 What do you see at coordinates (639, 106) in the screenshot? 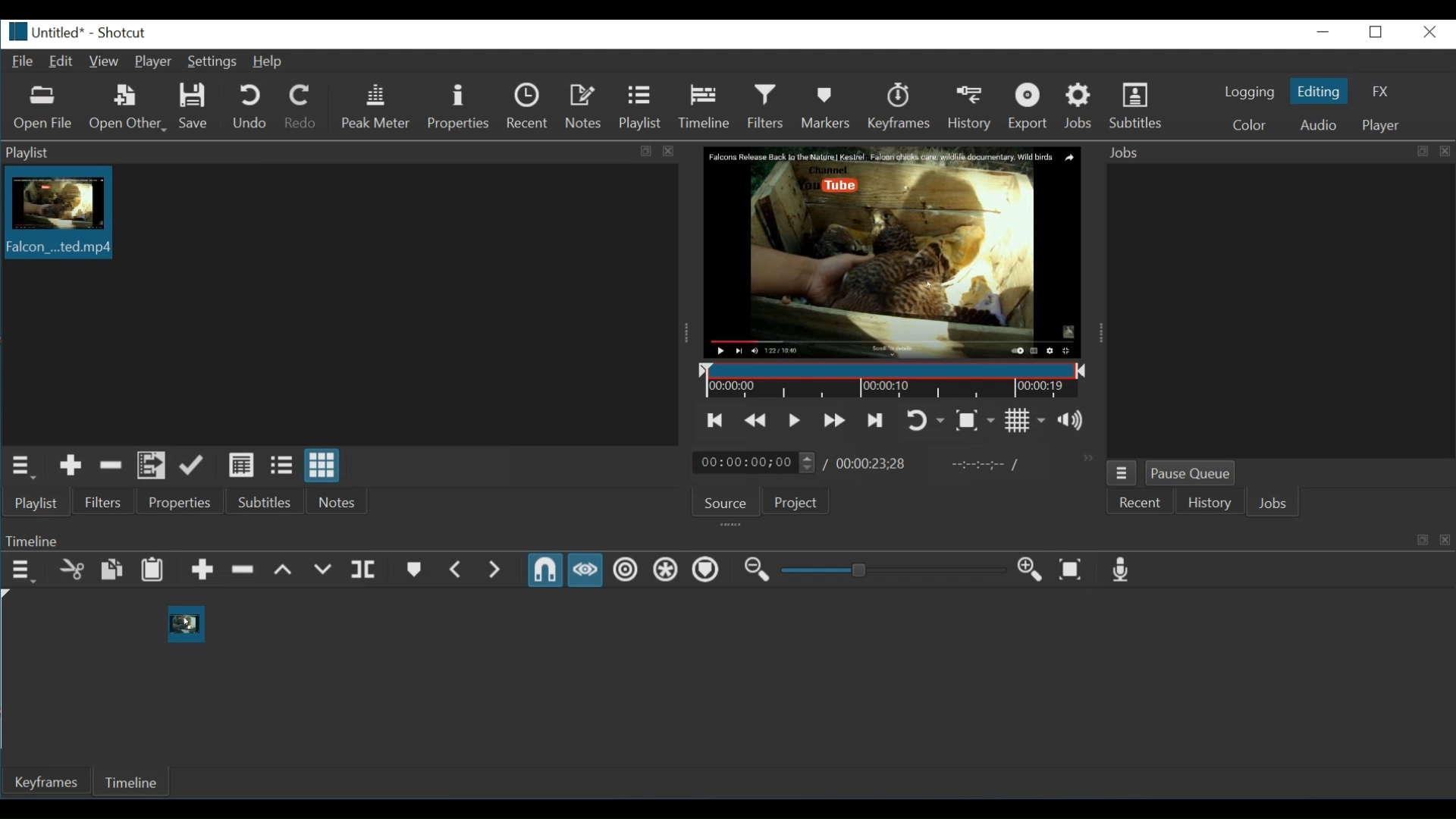
I see `Playlist` at bounding box center [639, 106].